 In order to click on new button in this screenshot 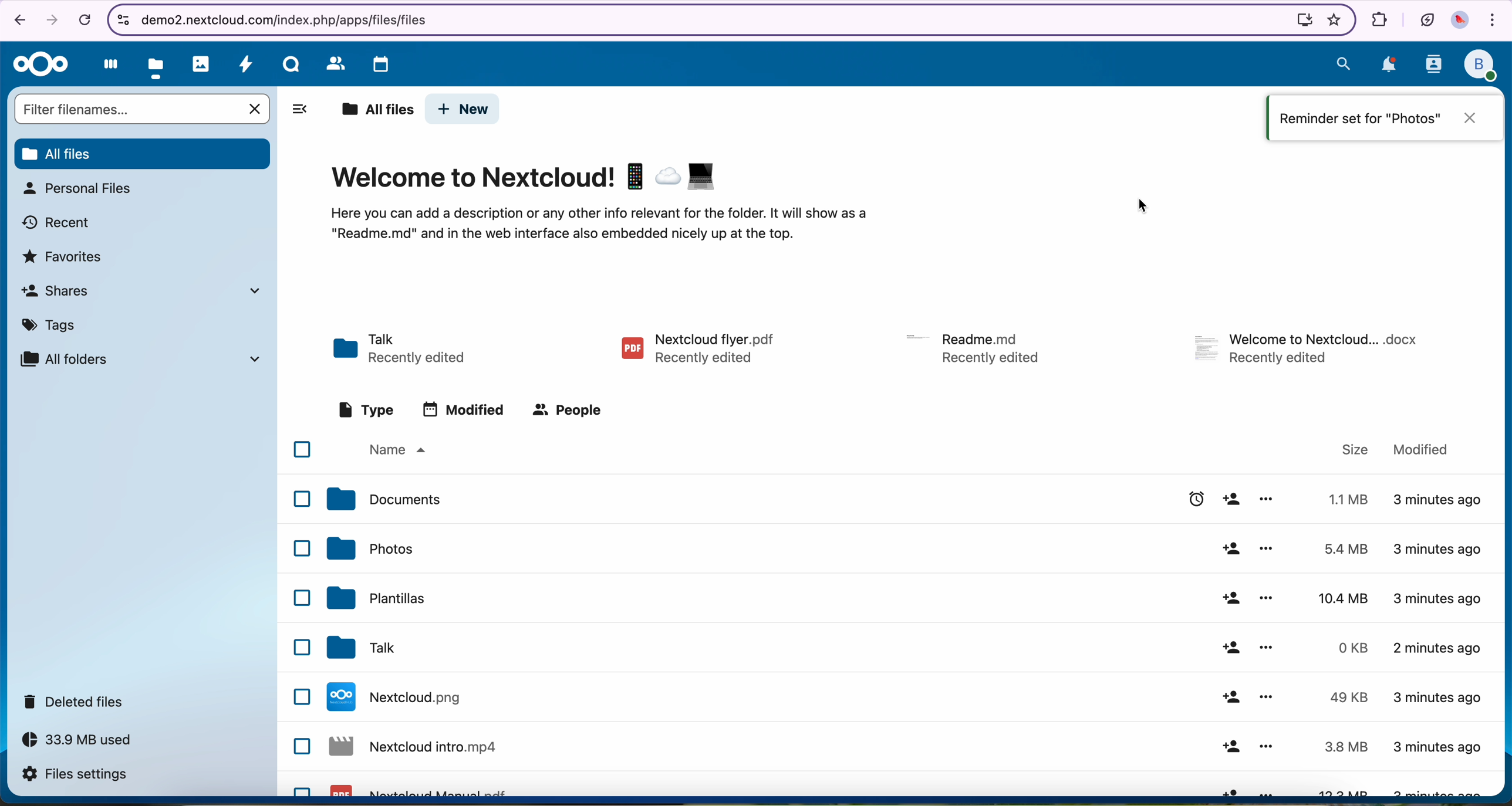, I will do `click(465, 109)`.